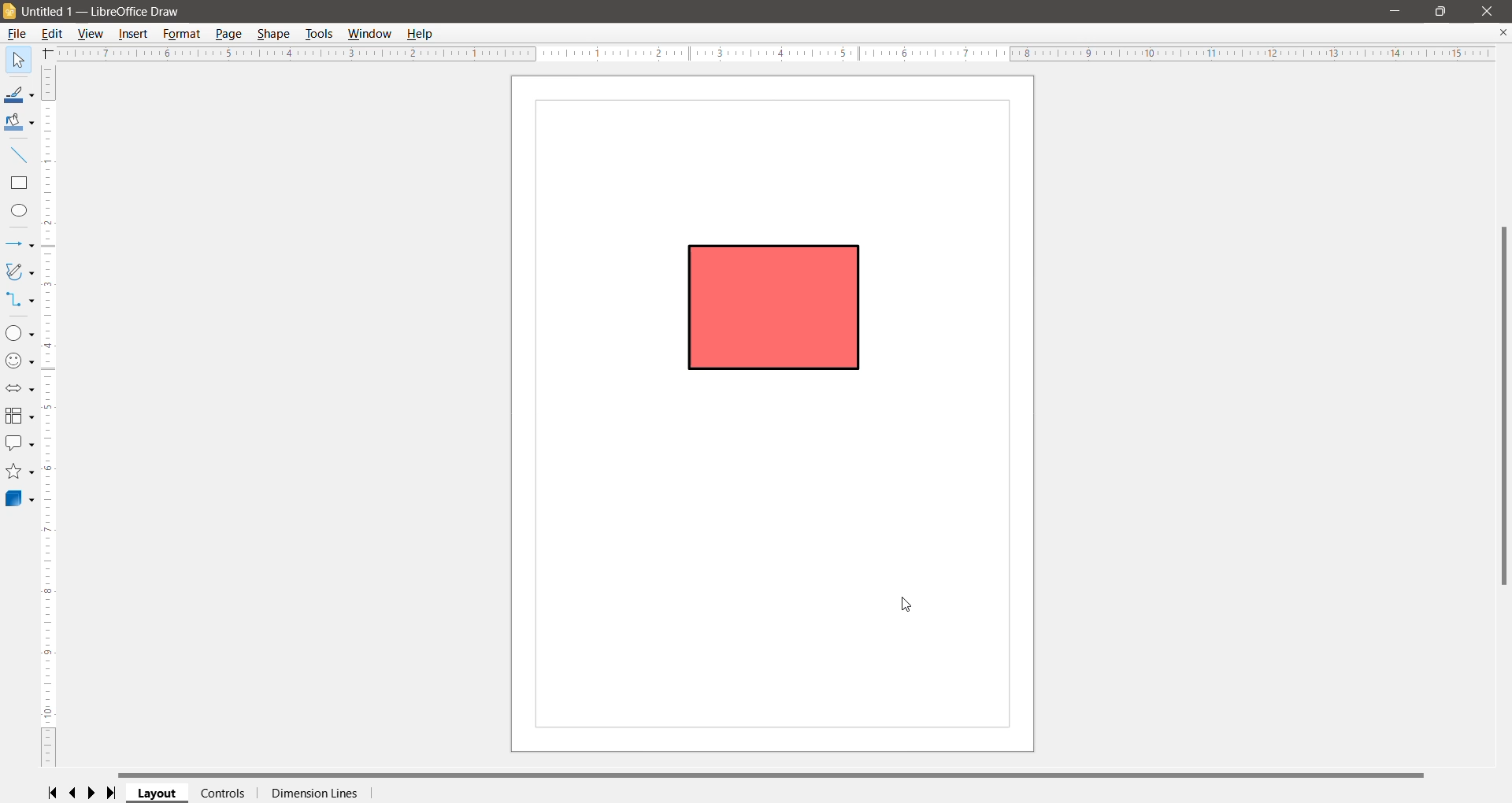 Image resolution: width=1512 pixels, height=803 pixels. I want to click on Symbol Shapes, so click(20, 362).